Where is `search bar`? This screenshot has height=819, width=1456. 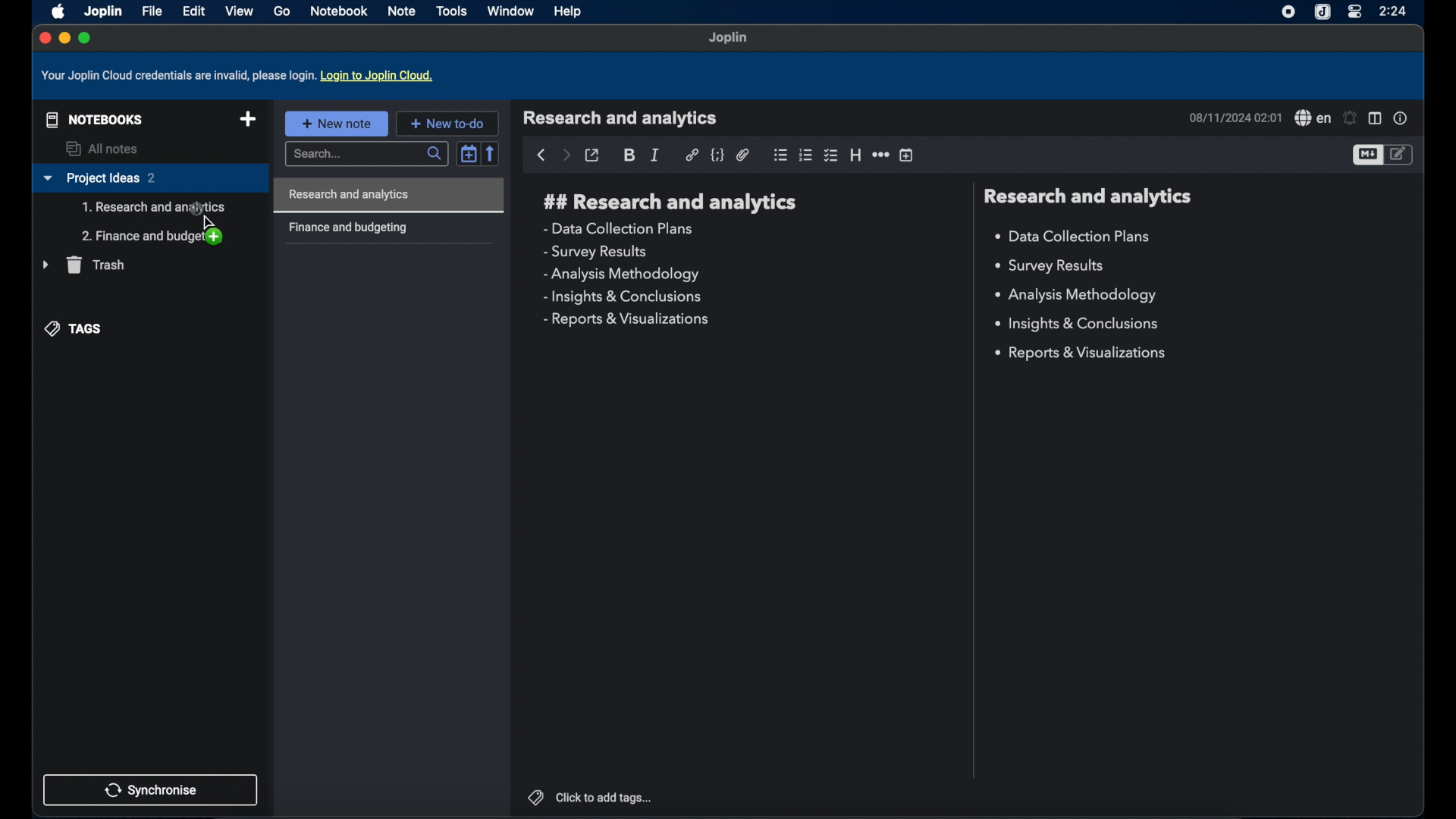 search bar is located at coordinates (369, 155).